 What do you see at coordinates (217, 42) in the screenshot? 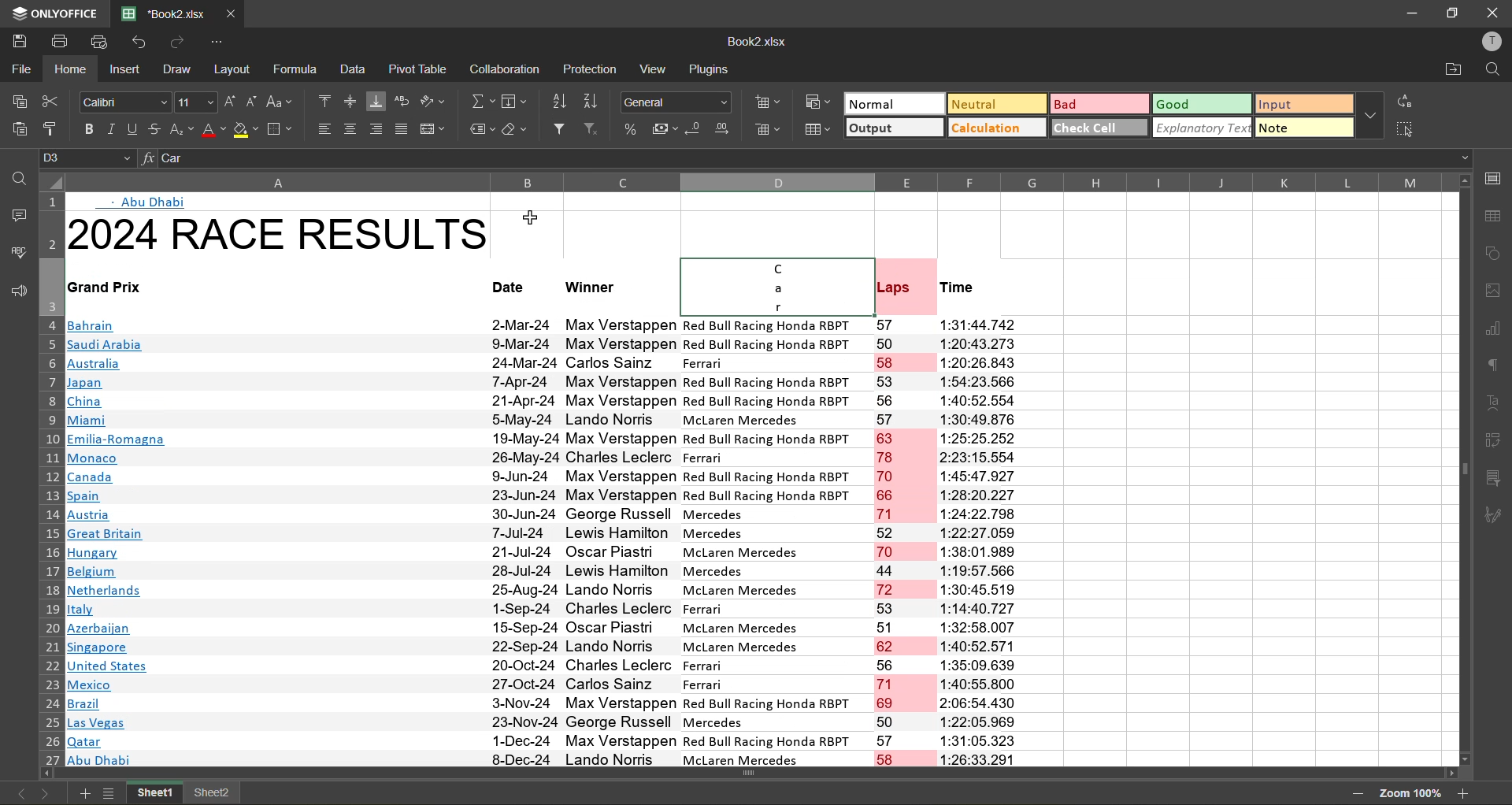
I see `customize quick access toolbar` at bounding box center [217, 42].